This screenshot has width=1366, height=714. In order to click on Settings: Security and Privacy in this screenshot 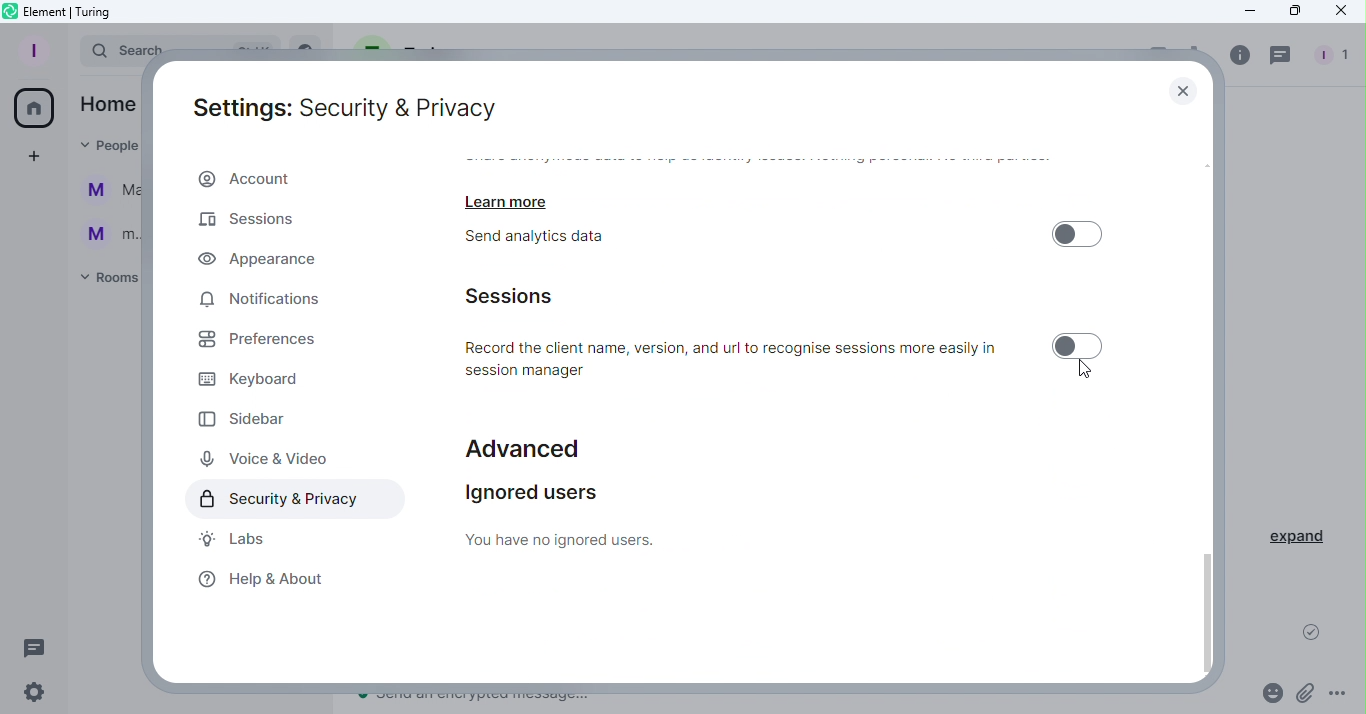, I will do `click(347, 104)`.